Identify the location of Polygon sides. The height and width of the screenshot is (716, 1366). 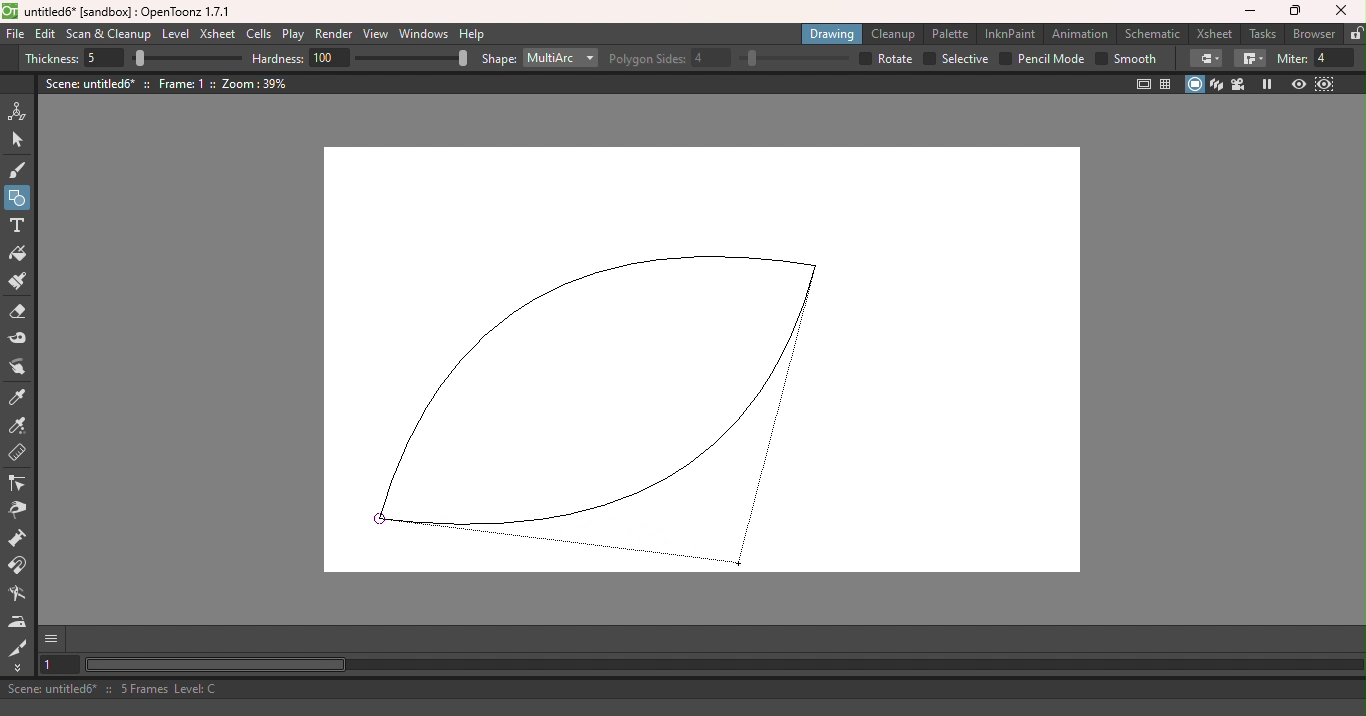
(671, 56).